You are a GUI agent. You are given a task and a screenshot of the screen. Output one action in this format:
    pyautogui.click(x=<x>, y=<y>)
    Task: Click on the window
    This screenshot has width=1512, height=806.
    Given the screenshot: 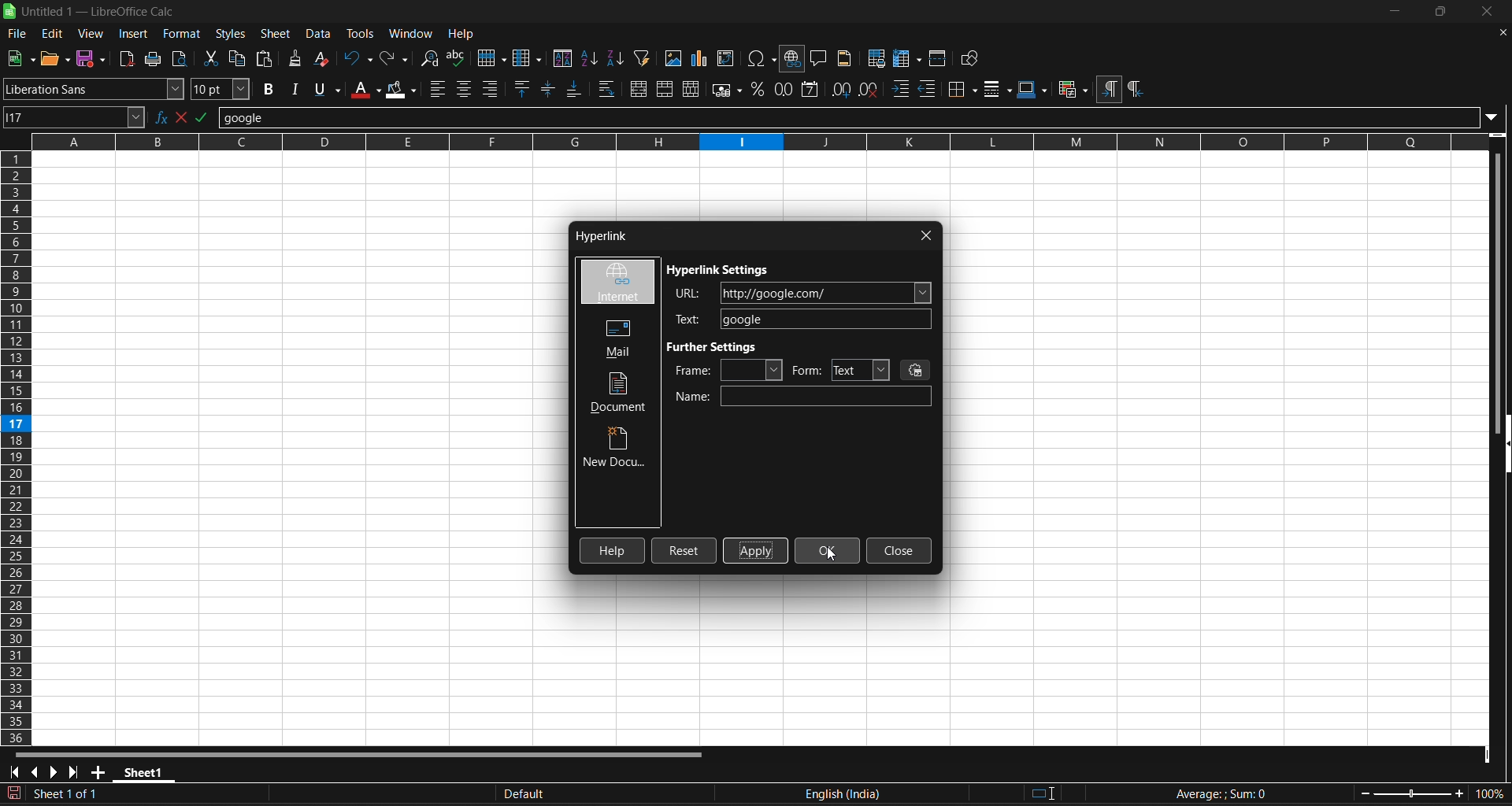 What is the action you would take?
    pyautogui.click(x=413, y=31)
    